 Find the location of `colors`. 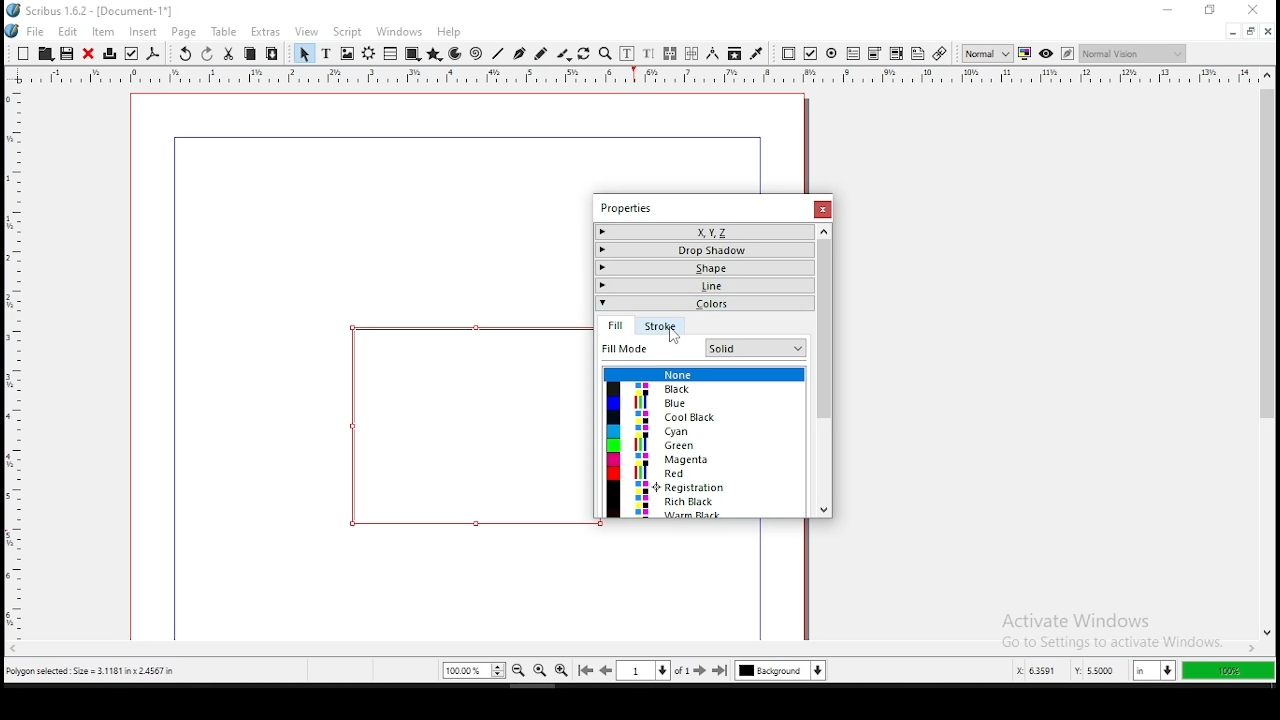

colors is located at coordinates (704, 303).